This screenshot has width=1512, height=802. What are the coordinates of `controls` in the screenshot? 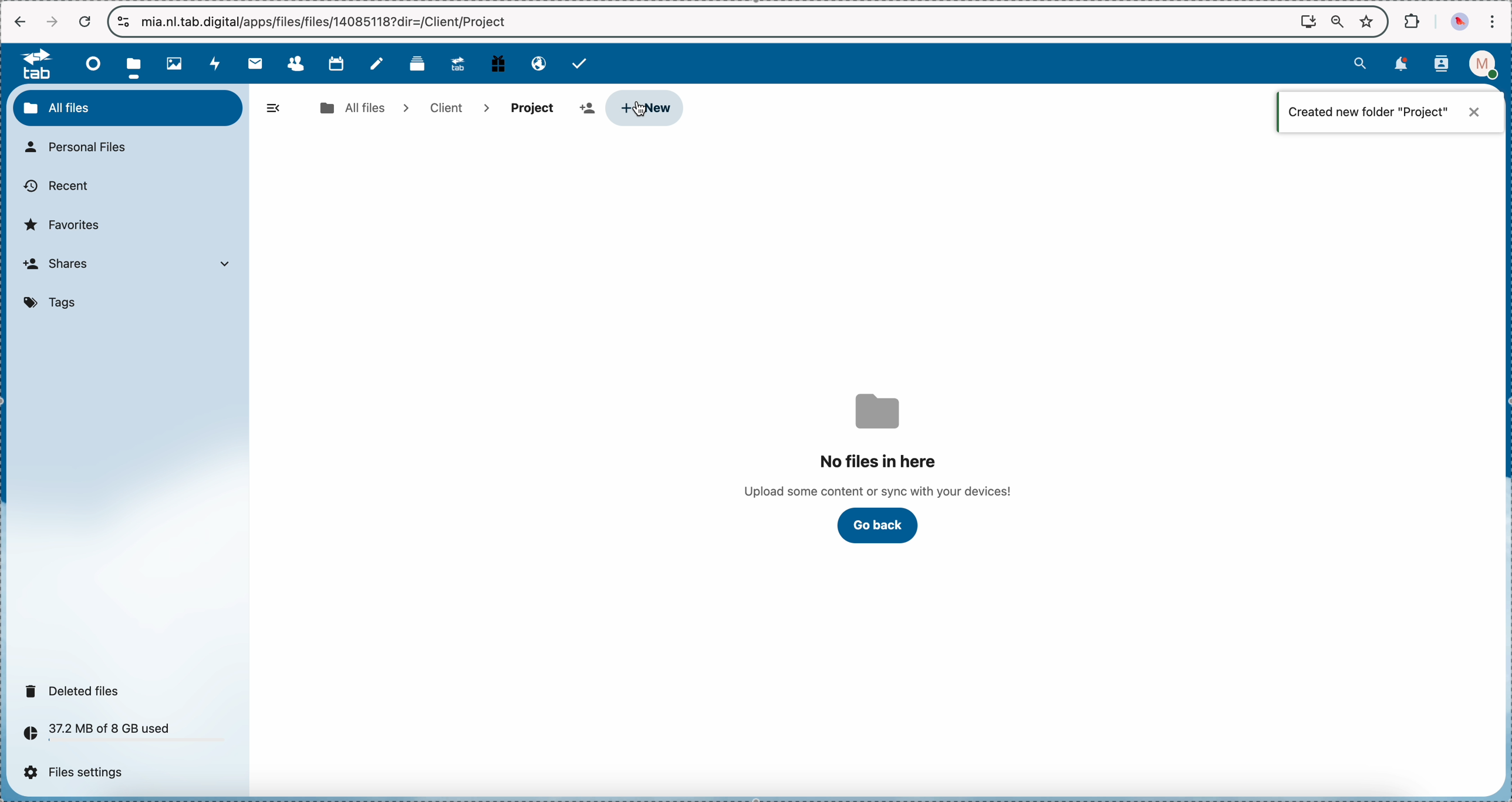 It's located at (124, 22).